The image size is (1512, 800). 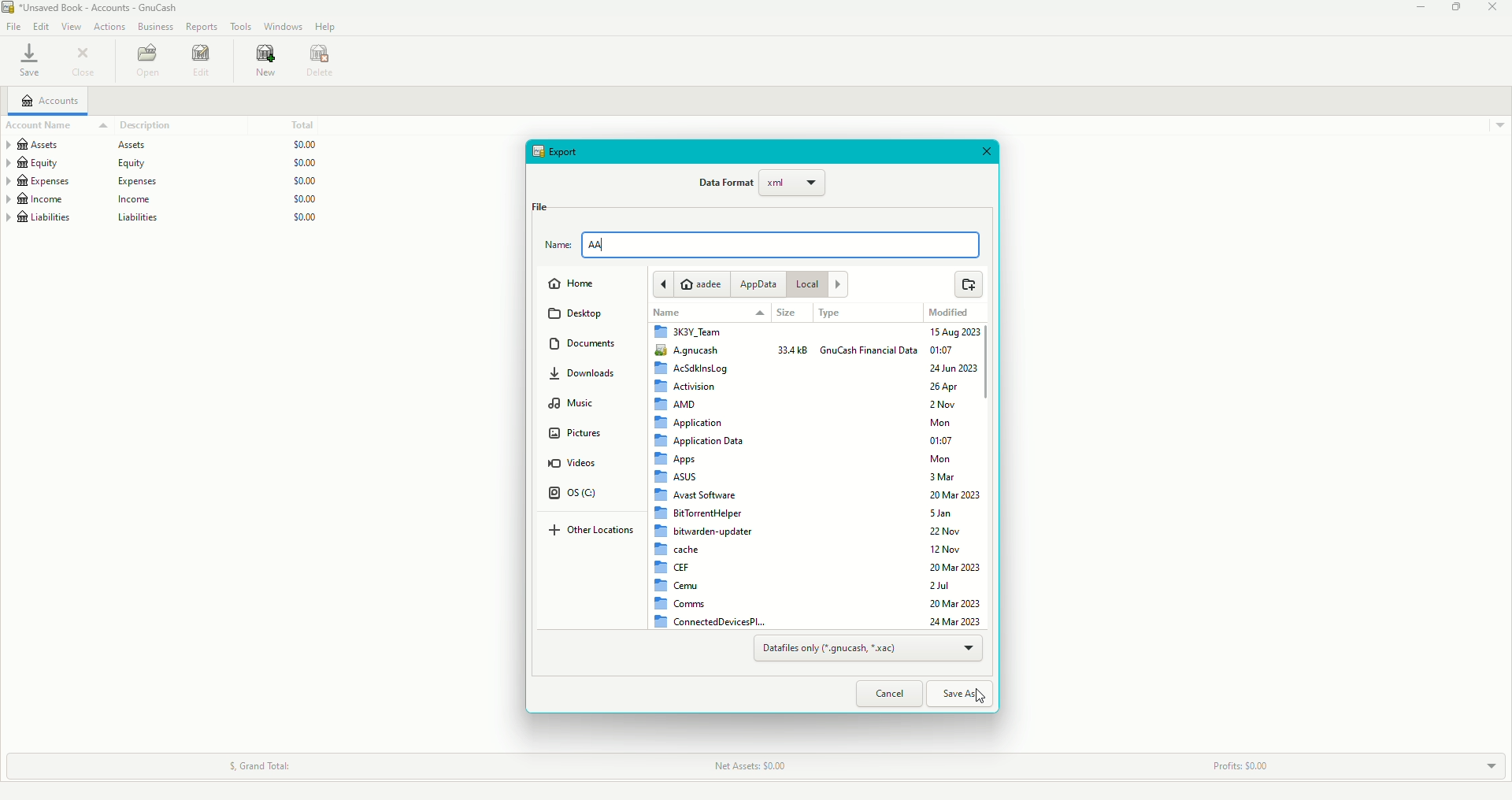 What do you see at coordinates (573, 465) in the screenshot?
I see `Videos` at bounding box center [573, 465].